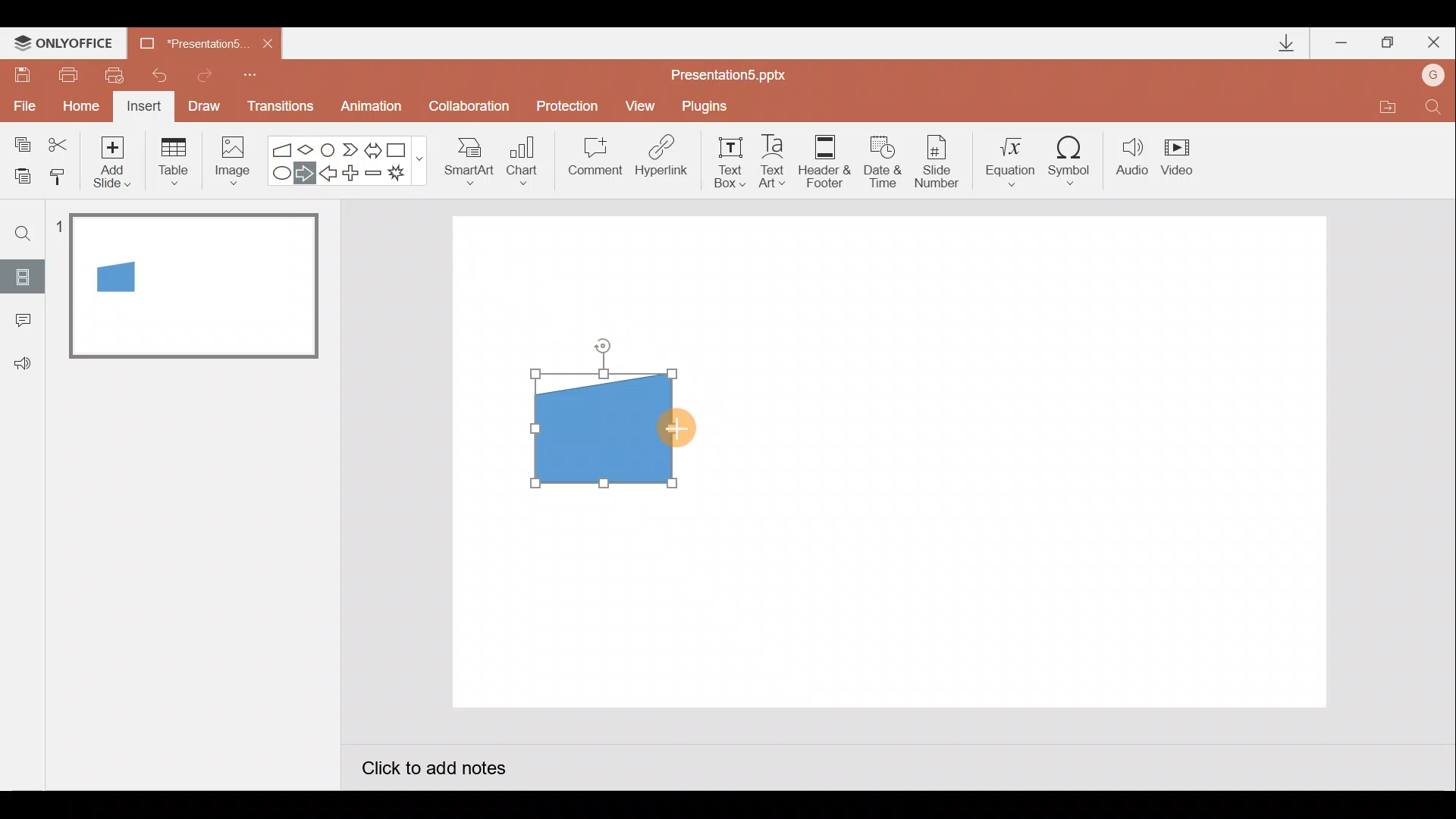  What do you see at coordinates (1343, 44) in the screenshot?
I see `Minimize` at bounding box center [1343, 44].